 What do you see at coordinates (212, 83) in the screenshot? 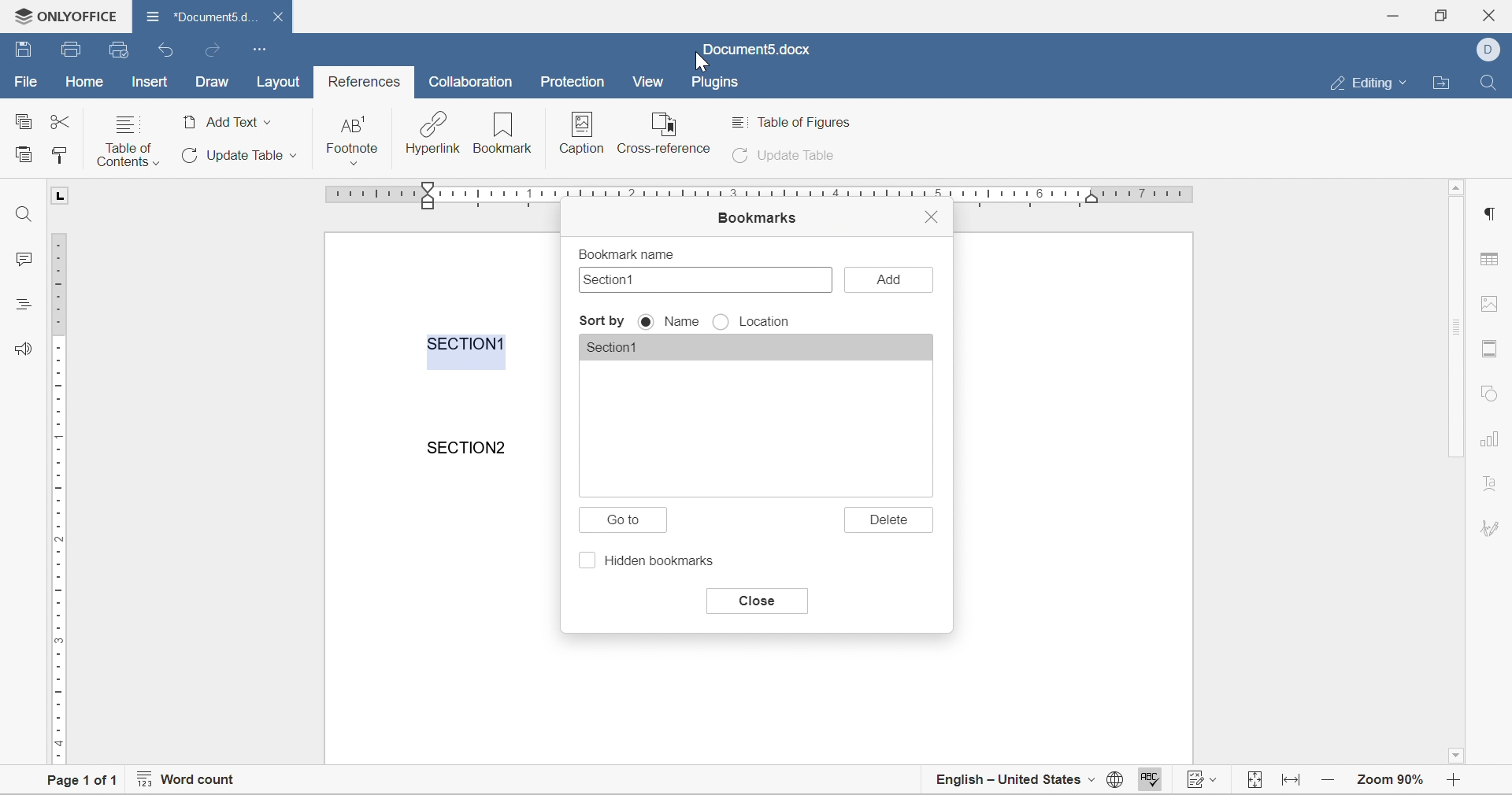
I see `draw` at bounding box center [212, 83].